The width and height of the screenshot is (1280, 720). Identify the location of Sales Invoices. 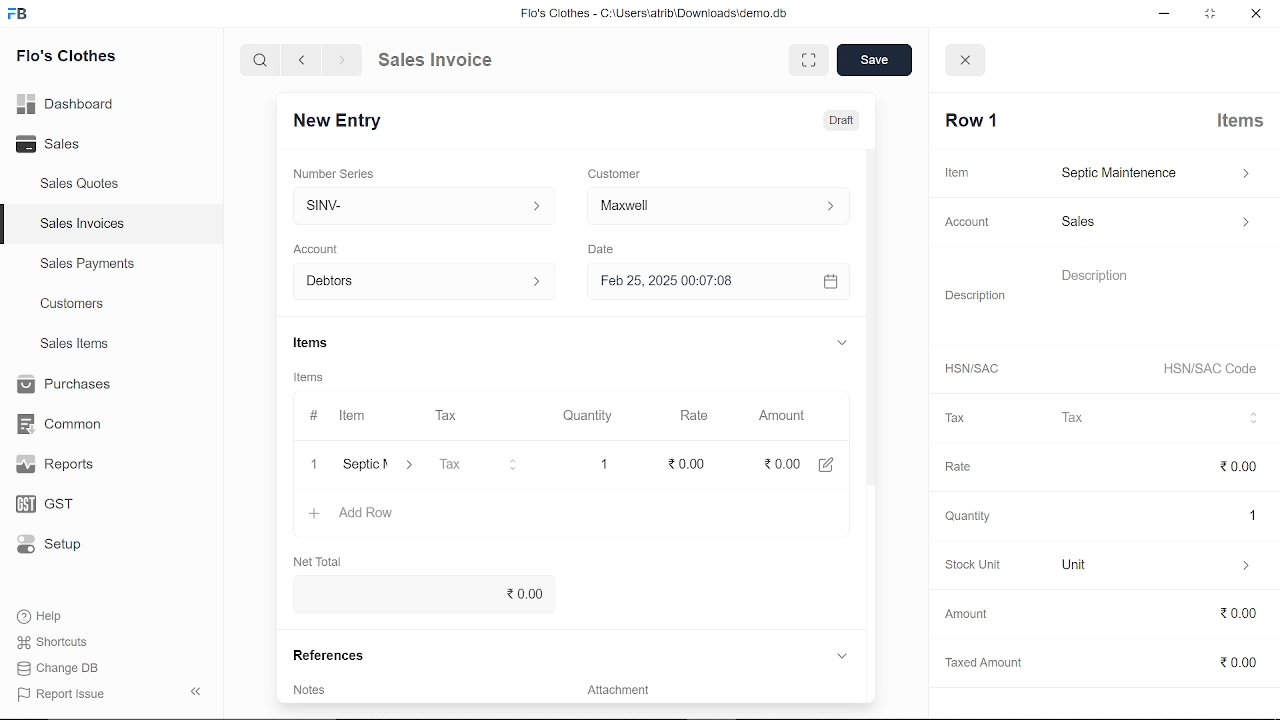
(82, 224).